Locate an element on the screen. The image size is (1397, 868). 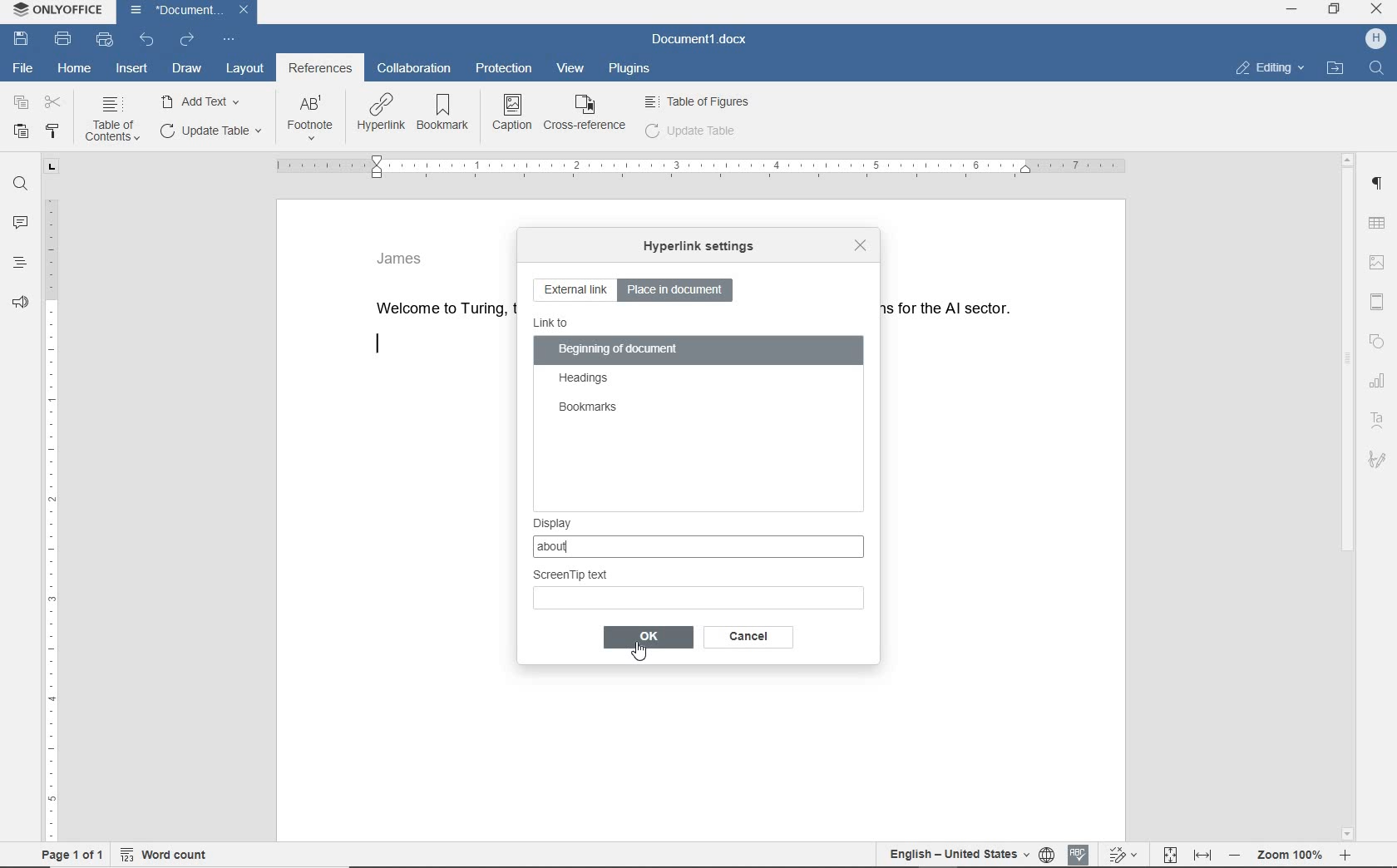
Close is located at coordinates (1378, 11).